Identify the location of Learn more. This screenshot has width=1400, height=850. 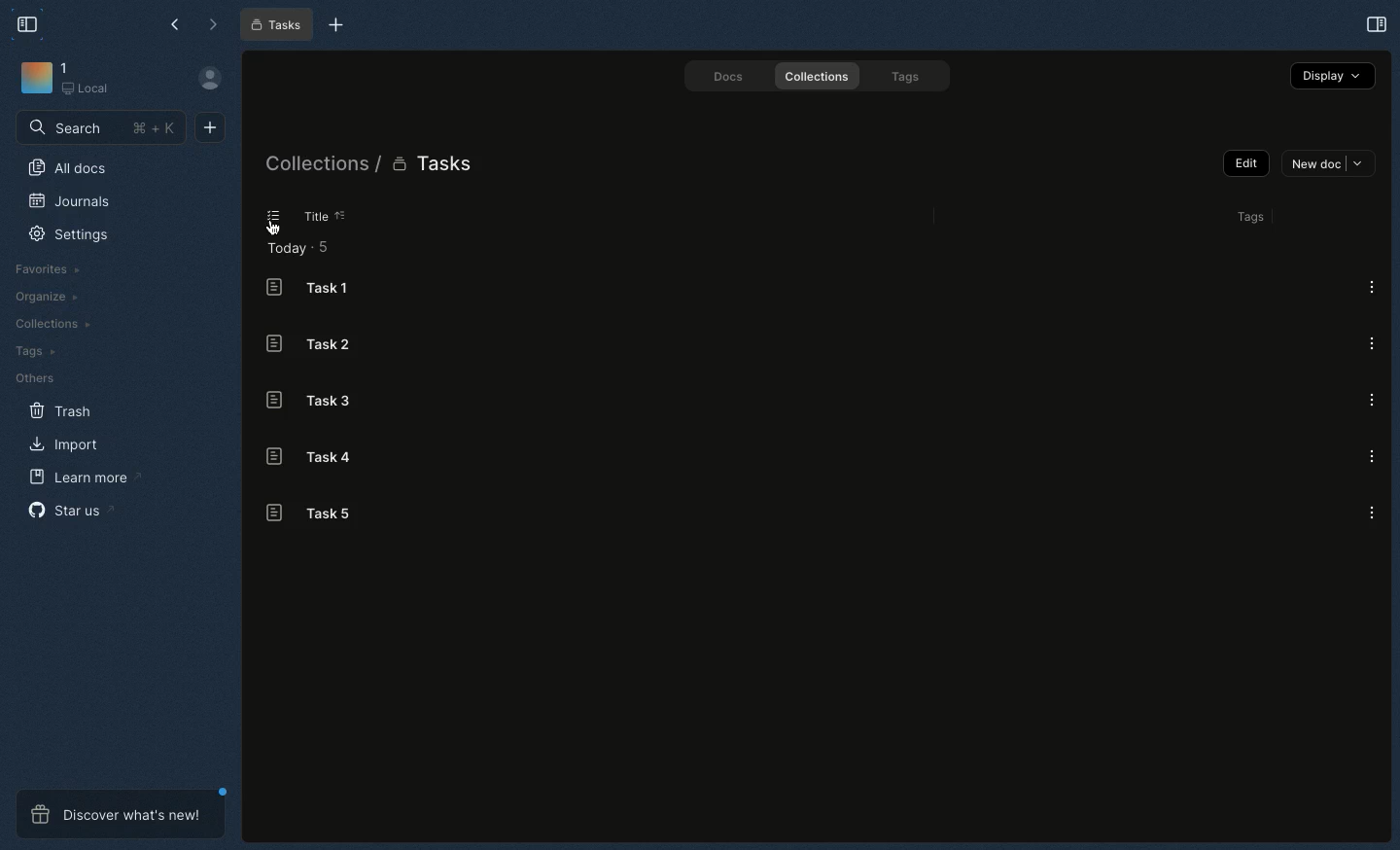
(82, 478).